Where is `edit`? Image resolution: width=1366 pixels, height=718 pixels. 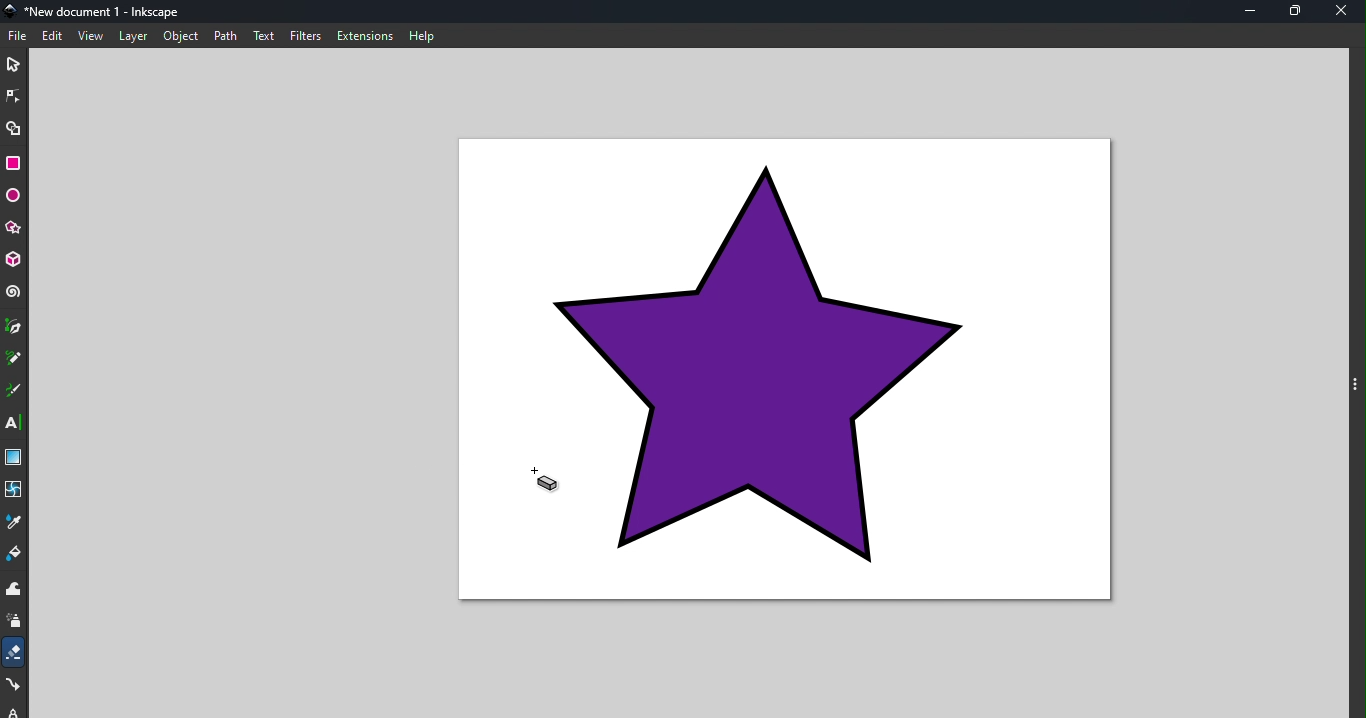 edit is located at coordinates (54, 36).